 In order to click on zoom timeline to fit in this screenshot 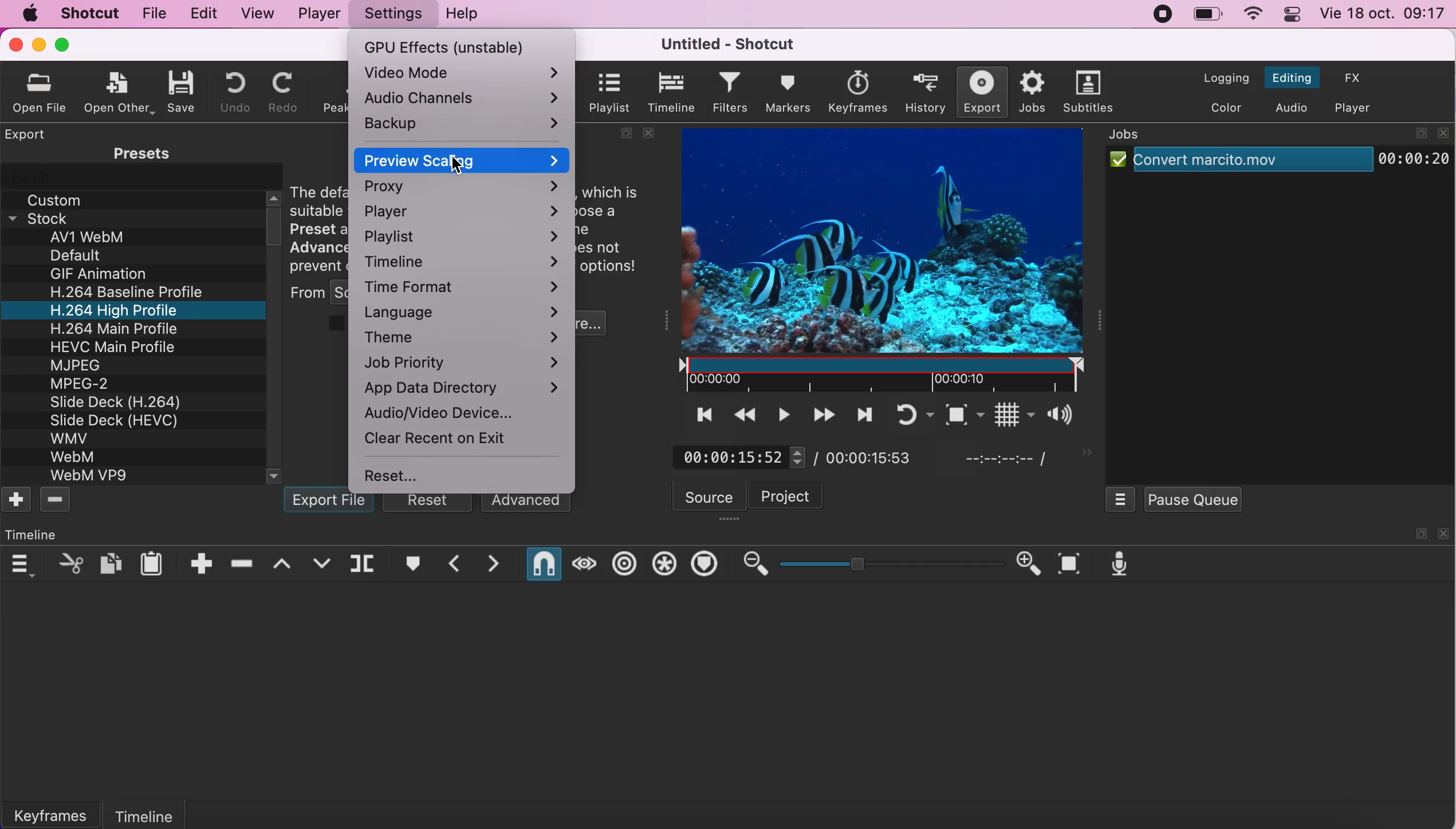, I will do `click(1068, 564)`.